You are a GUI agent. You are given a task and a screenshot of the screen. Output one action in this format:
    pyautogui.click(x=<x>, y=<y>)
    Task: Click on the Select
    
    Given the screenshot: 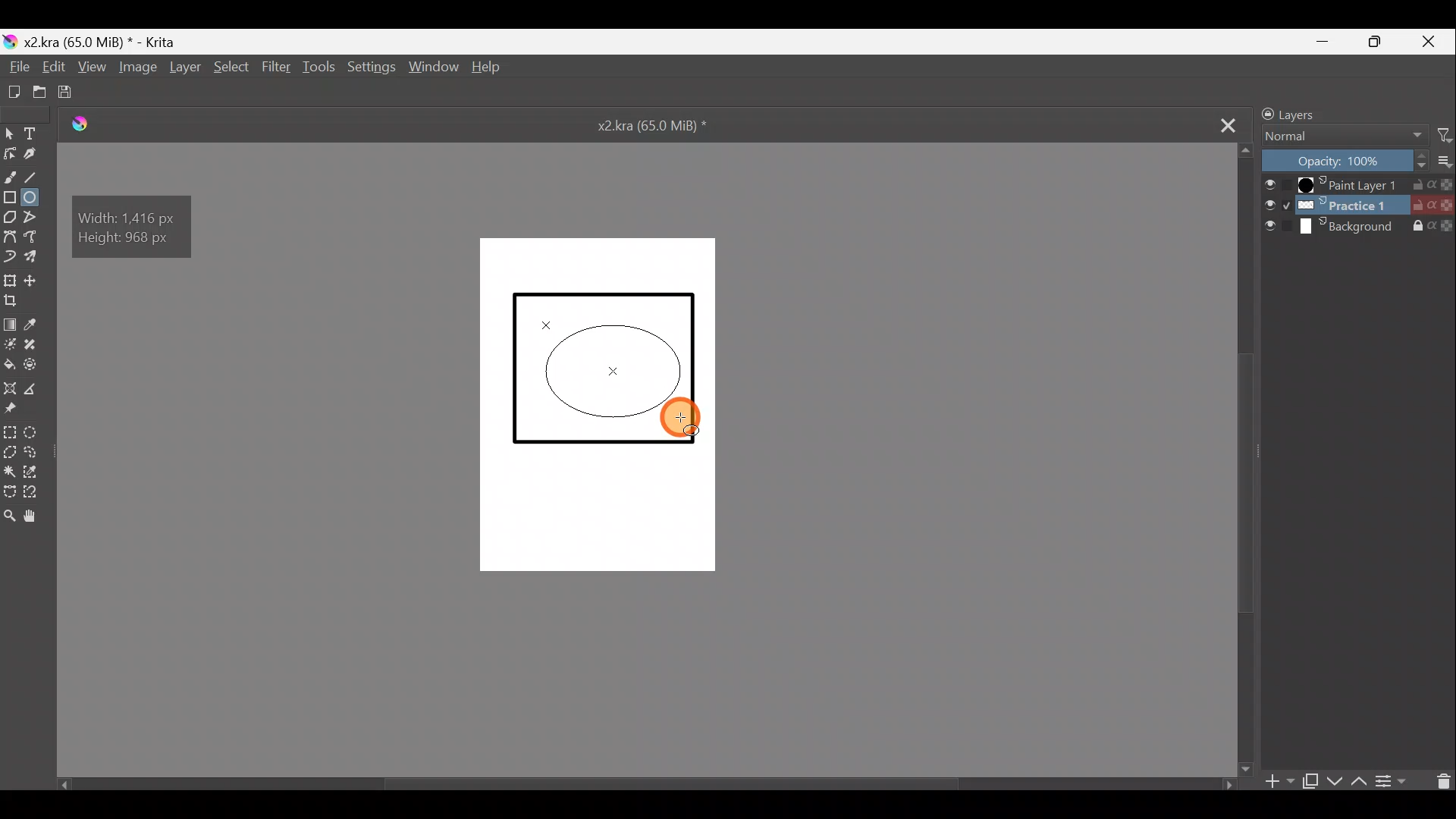 What is the action you would take?
    pyautogui.click(x=231, y=68)
    